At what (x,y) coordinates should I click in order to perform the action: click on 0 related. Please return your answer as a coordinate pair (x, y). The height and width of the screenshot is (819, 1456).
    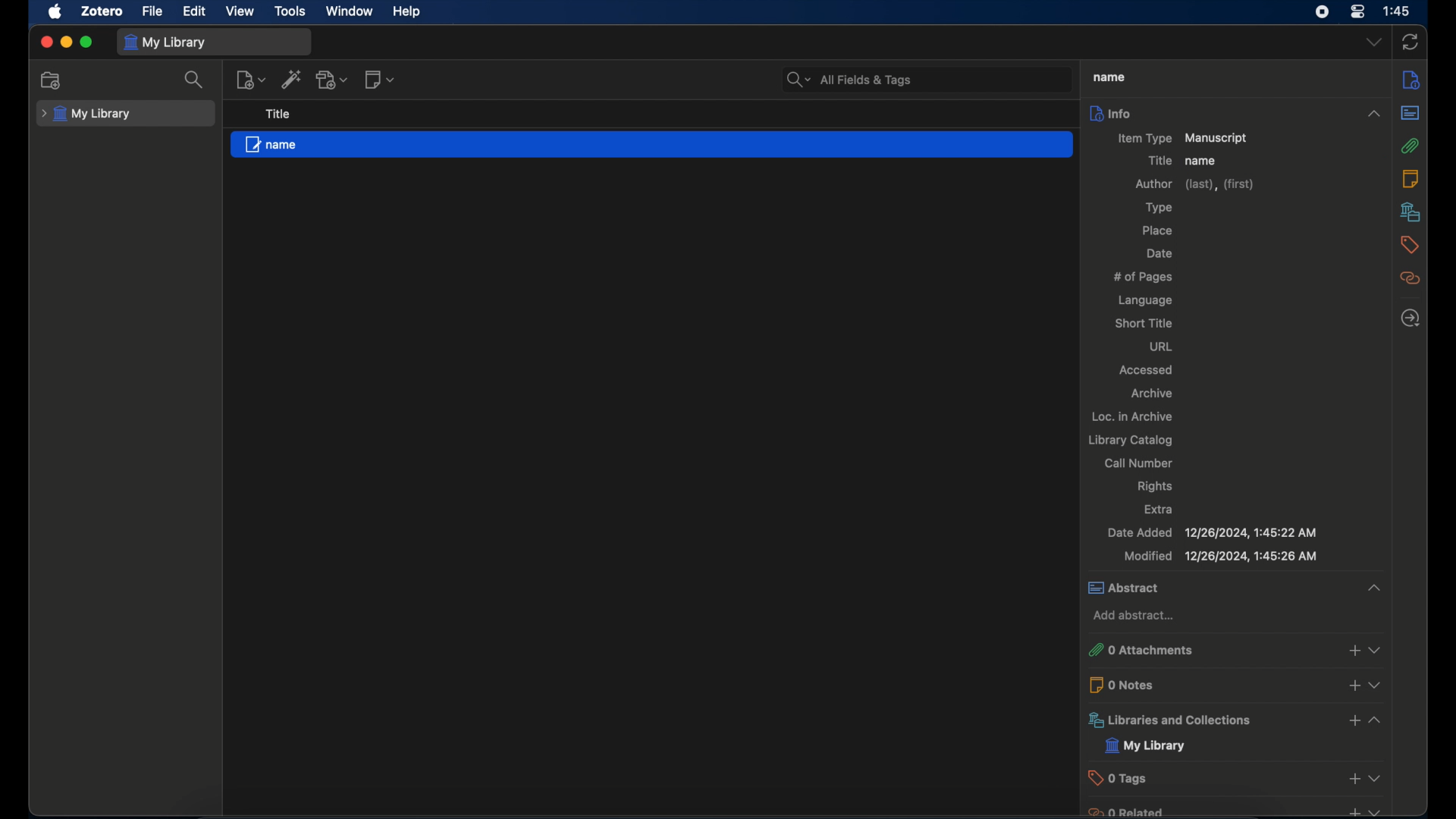
    Looking at the image, I should click on (1234, 811).